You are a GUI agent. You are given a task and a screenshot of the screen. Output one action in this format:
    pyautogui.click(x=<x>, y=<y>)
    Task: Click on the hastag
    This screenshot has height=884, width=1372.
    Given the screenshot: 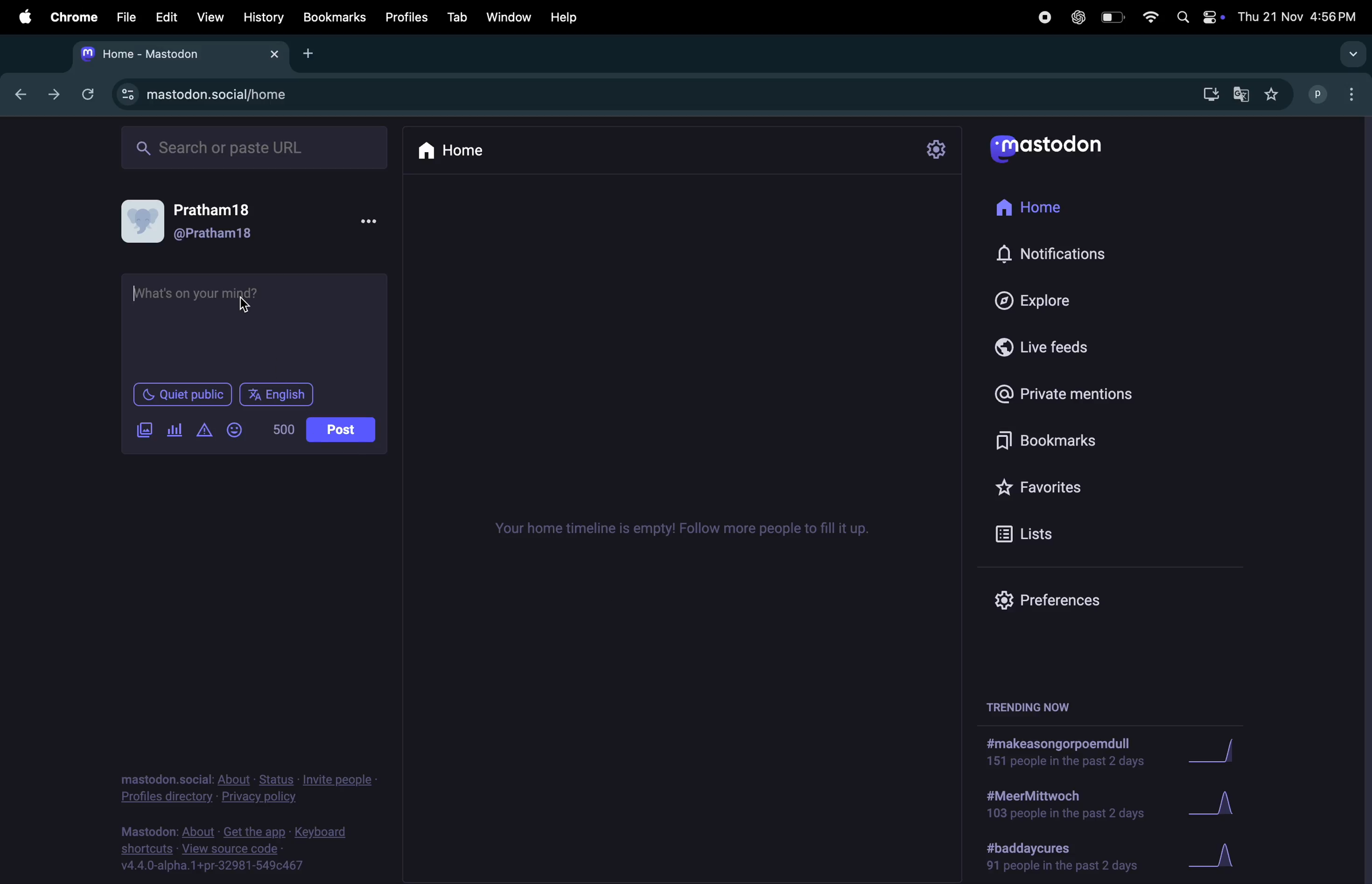 What is the action you would take?
    pyautogui.click(x=1055, y=754)
    